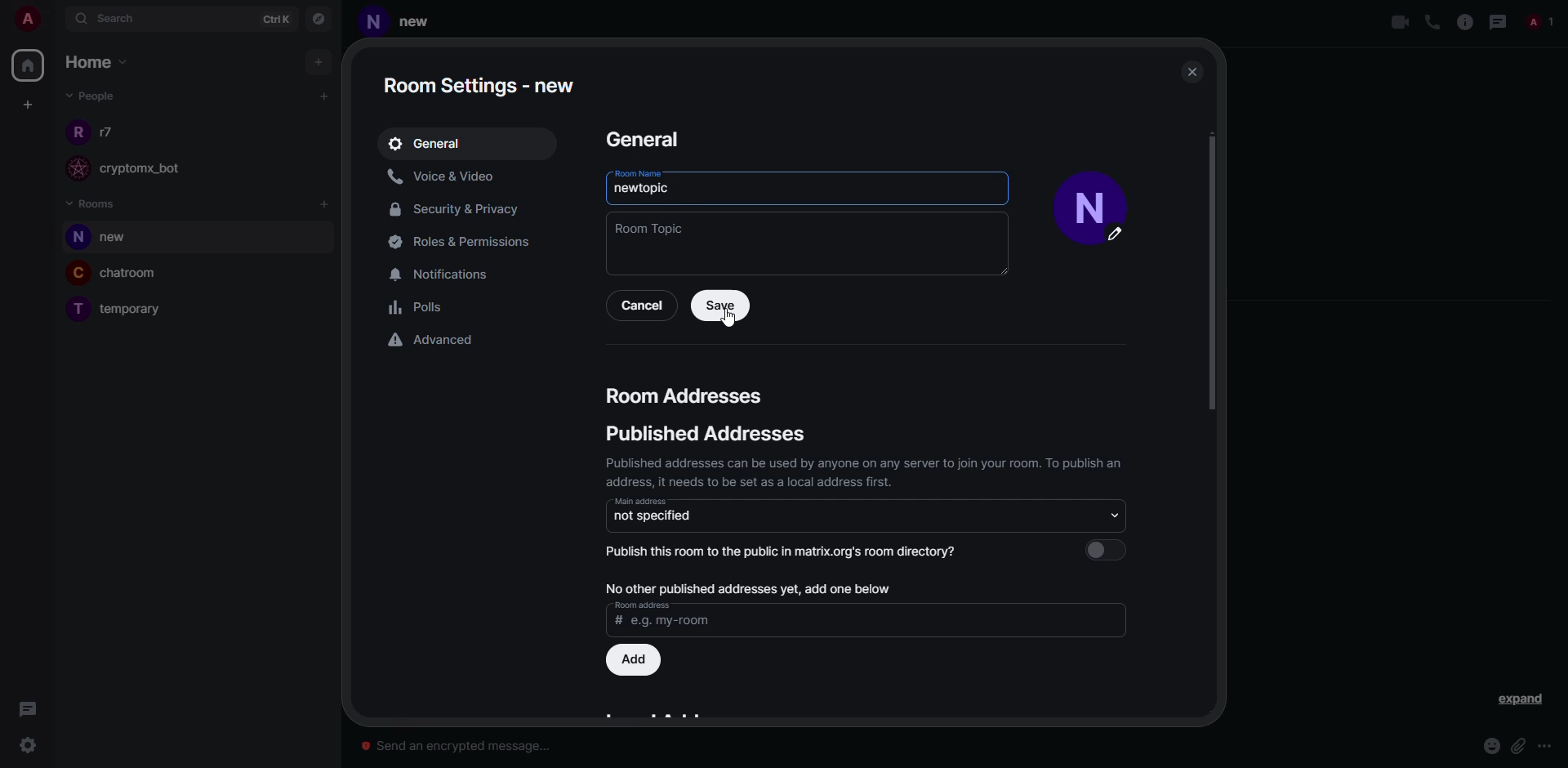  What do you see at coordinates (640, 501) in the screenshot?
I see `main address` at bounding box center [640, 501].